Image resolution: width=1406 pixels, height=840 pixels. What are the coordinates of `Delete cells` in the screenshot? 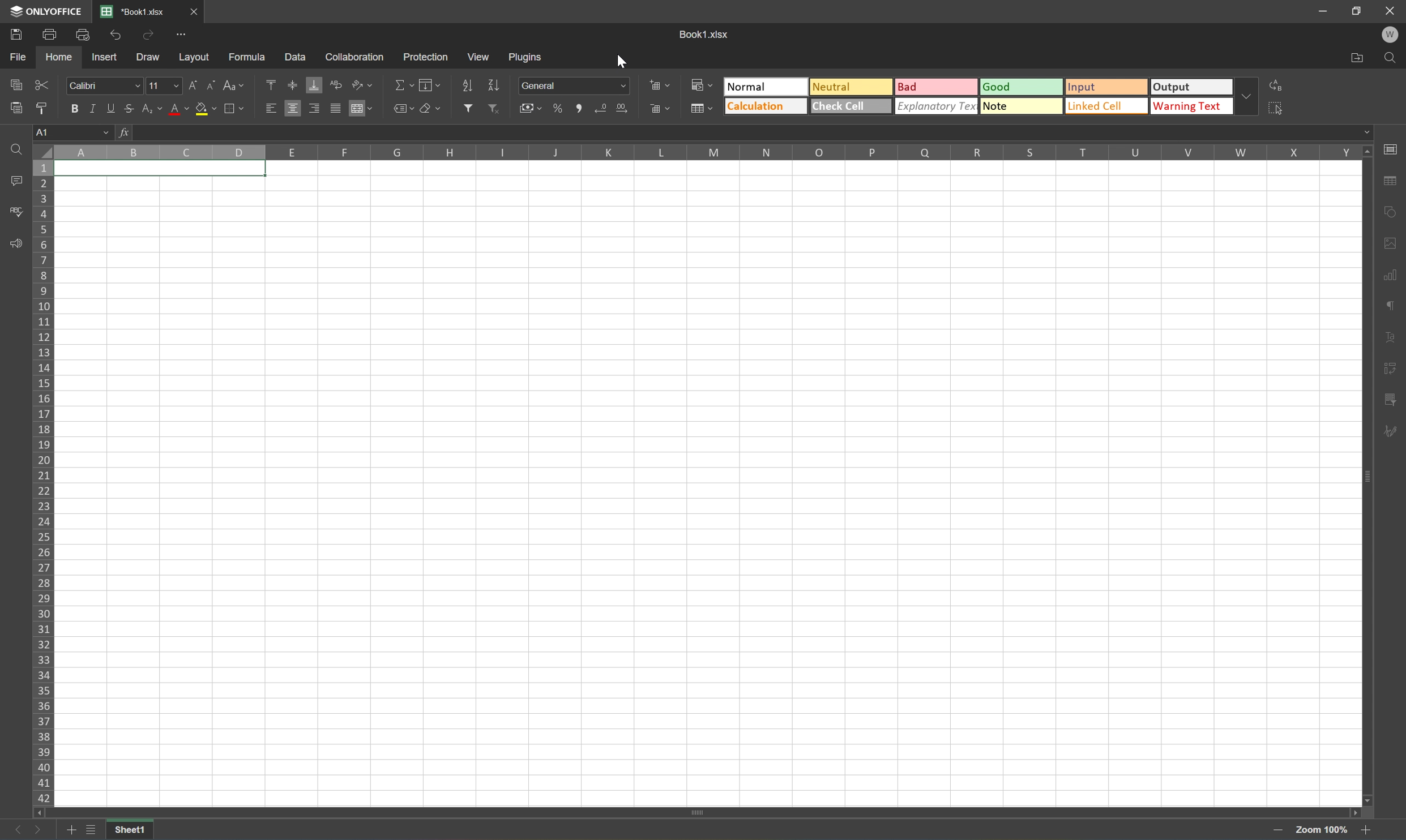 It's located at (659, 108).